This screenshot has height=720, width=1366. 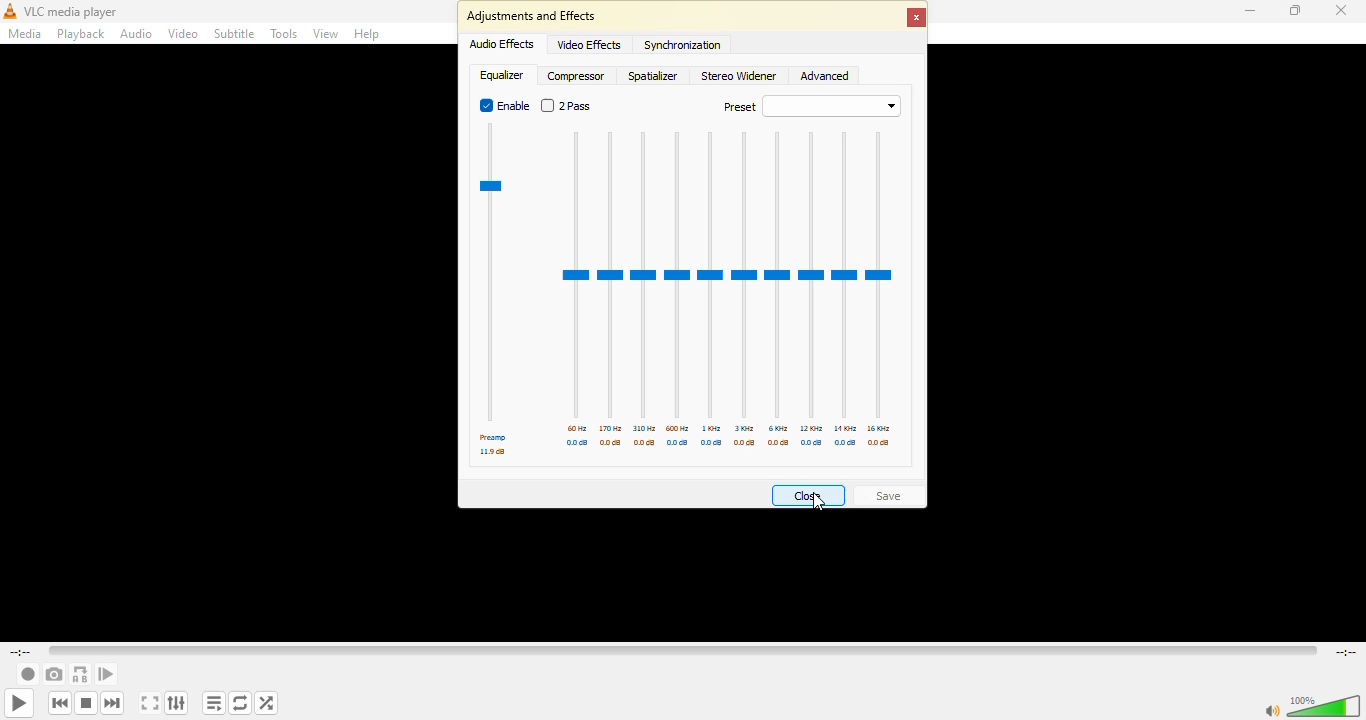 I want to click on media, so click(x=26, y=33).